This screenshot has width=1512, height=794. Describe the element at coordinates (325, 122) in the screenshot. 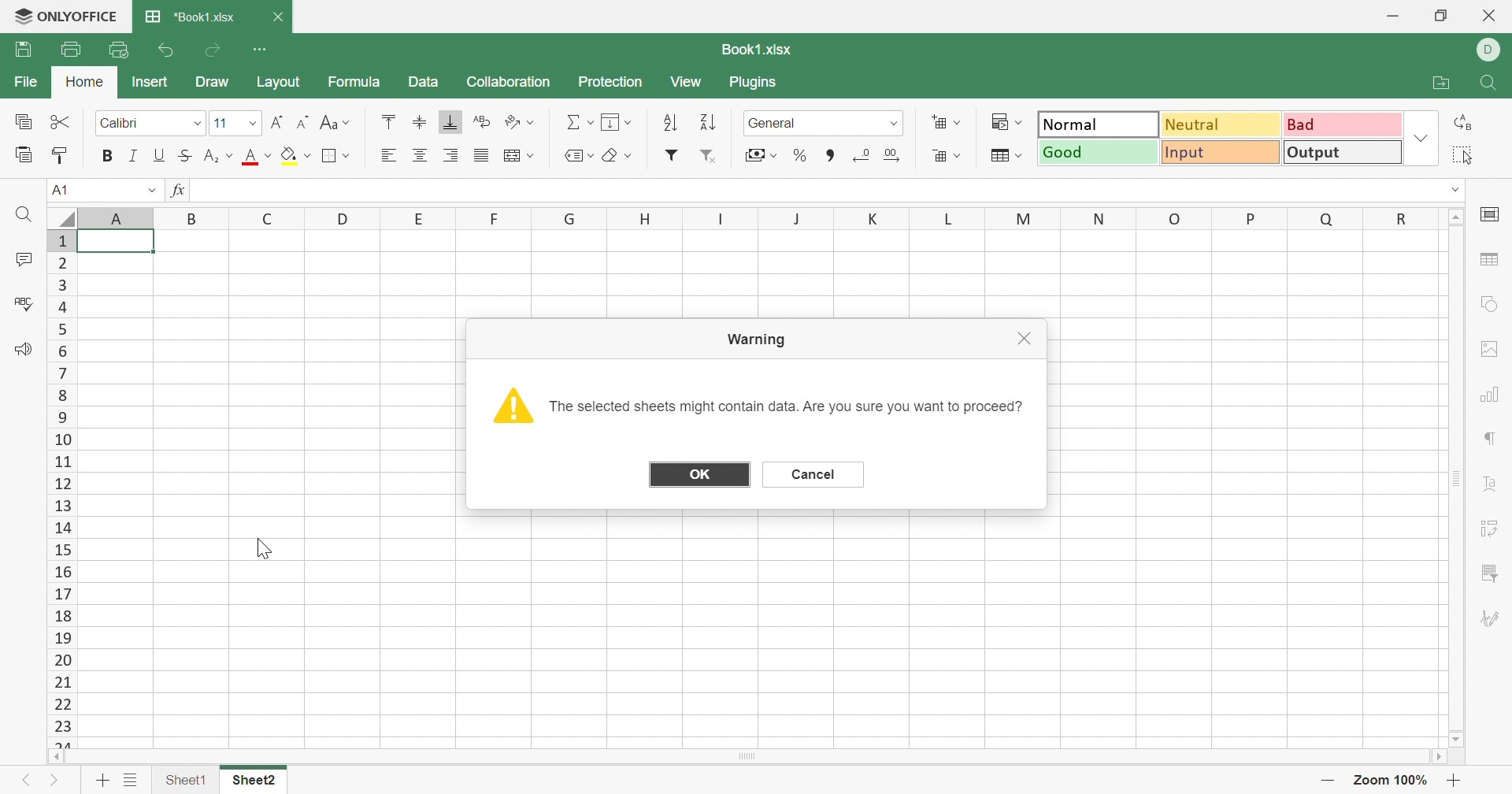

I see `Change case` at that location.